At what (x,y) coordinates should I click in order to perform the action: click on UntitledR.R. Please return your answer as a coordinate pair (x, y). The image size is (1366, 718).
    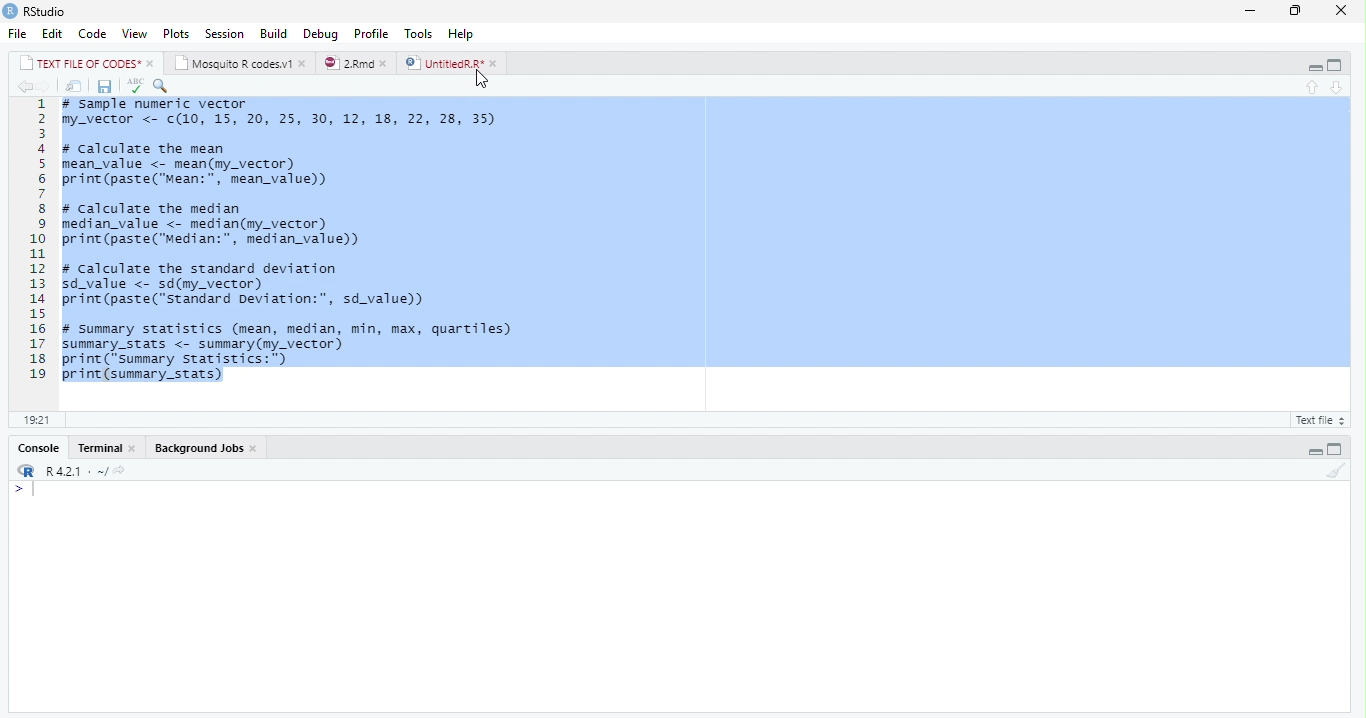
    Looking at the image, I should click on (443, 63).